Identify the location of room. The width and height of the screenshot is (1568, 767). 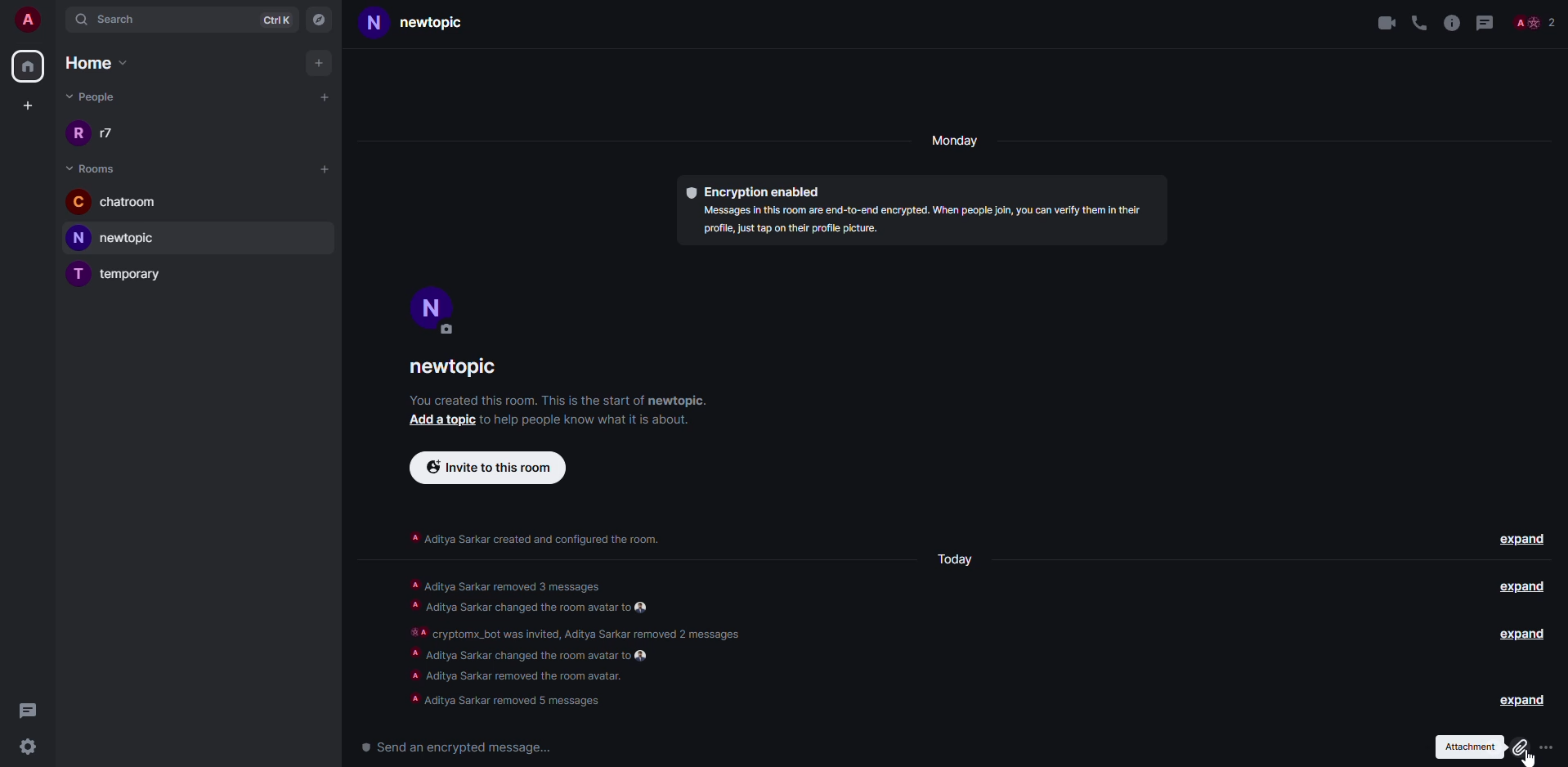
(96, 169).